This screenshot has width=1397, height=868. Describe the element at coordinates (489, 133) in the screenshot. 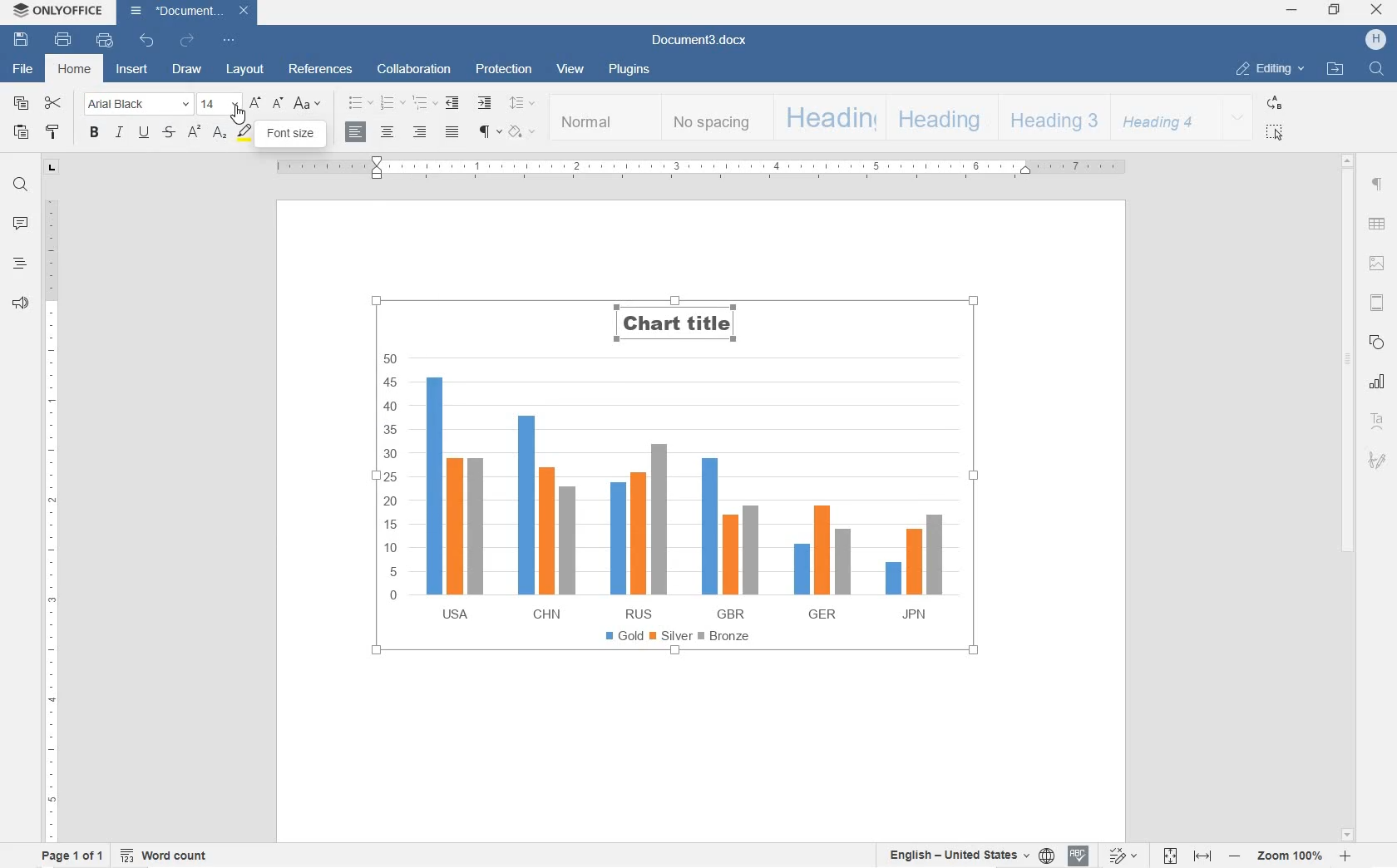

I see `NON PRINTING CHARACTERS` at that location.